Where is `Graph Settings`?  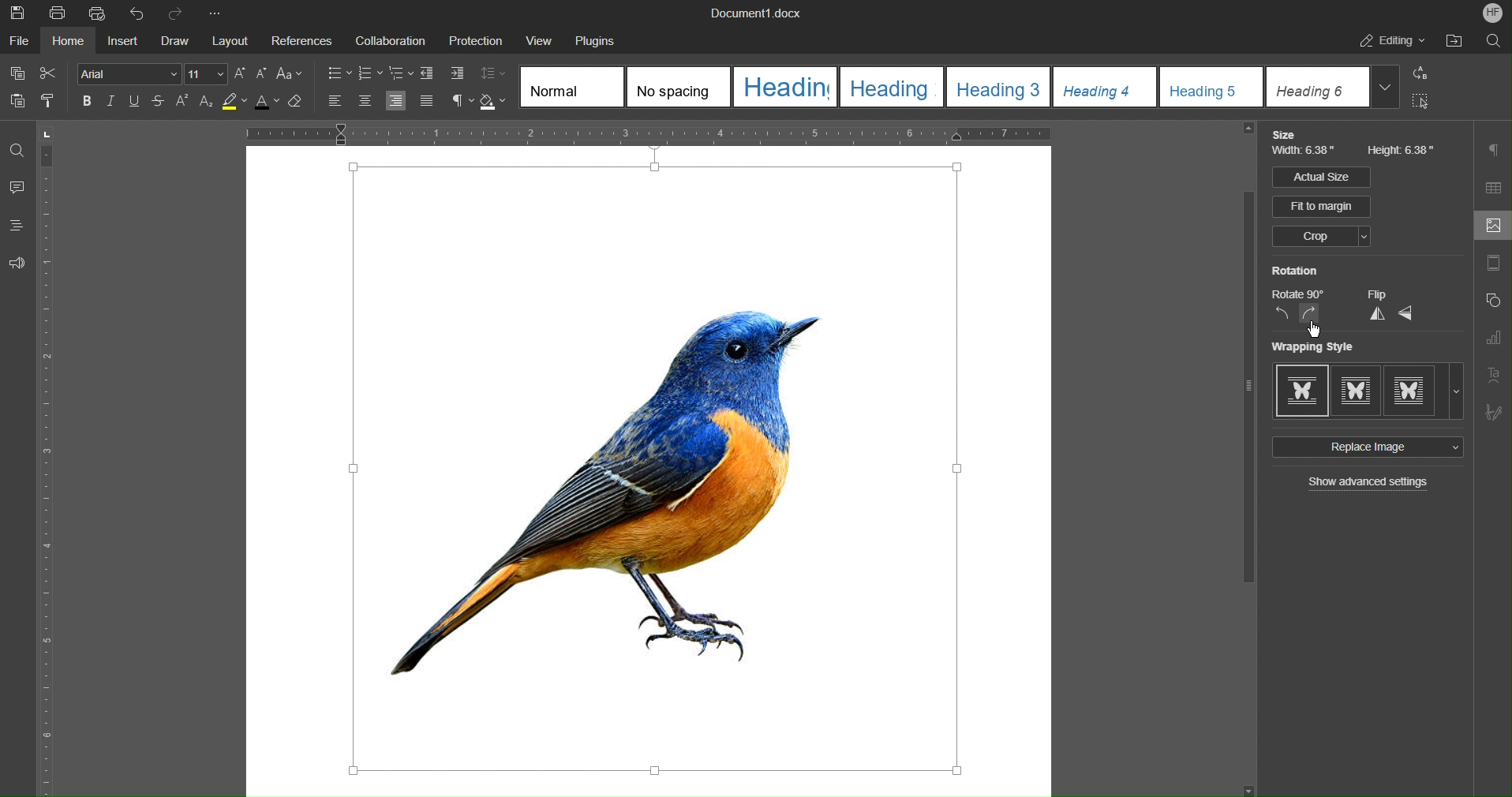 Graph Settings is located at coordinates (1494, 335).